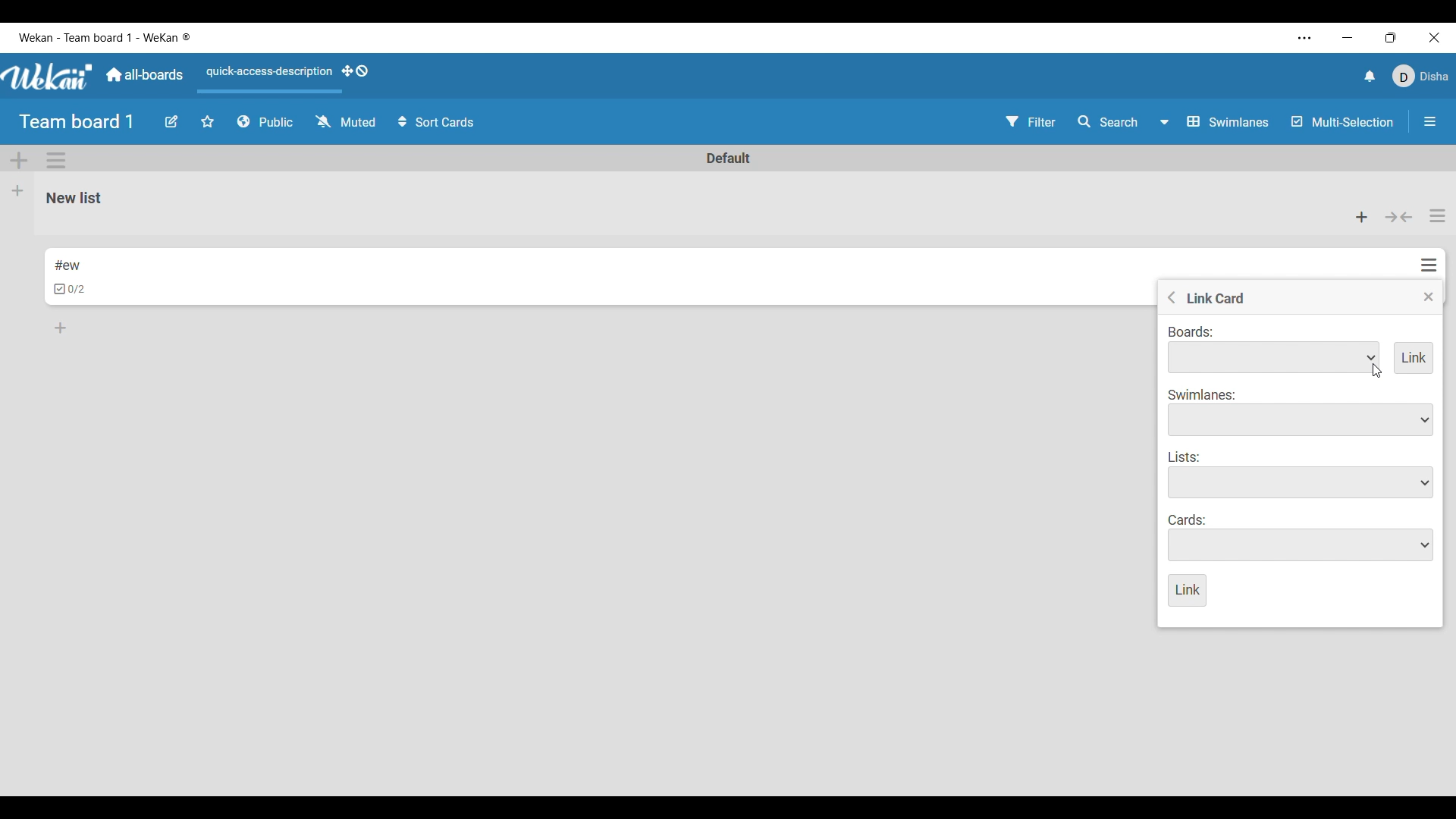  I want to click on Add card to bottom of list, so click(61, 328).